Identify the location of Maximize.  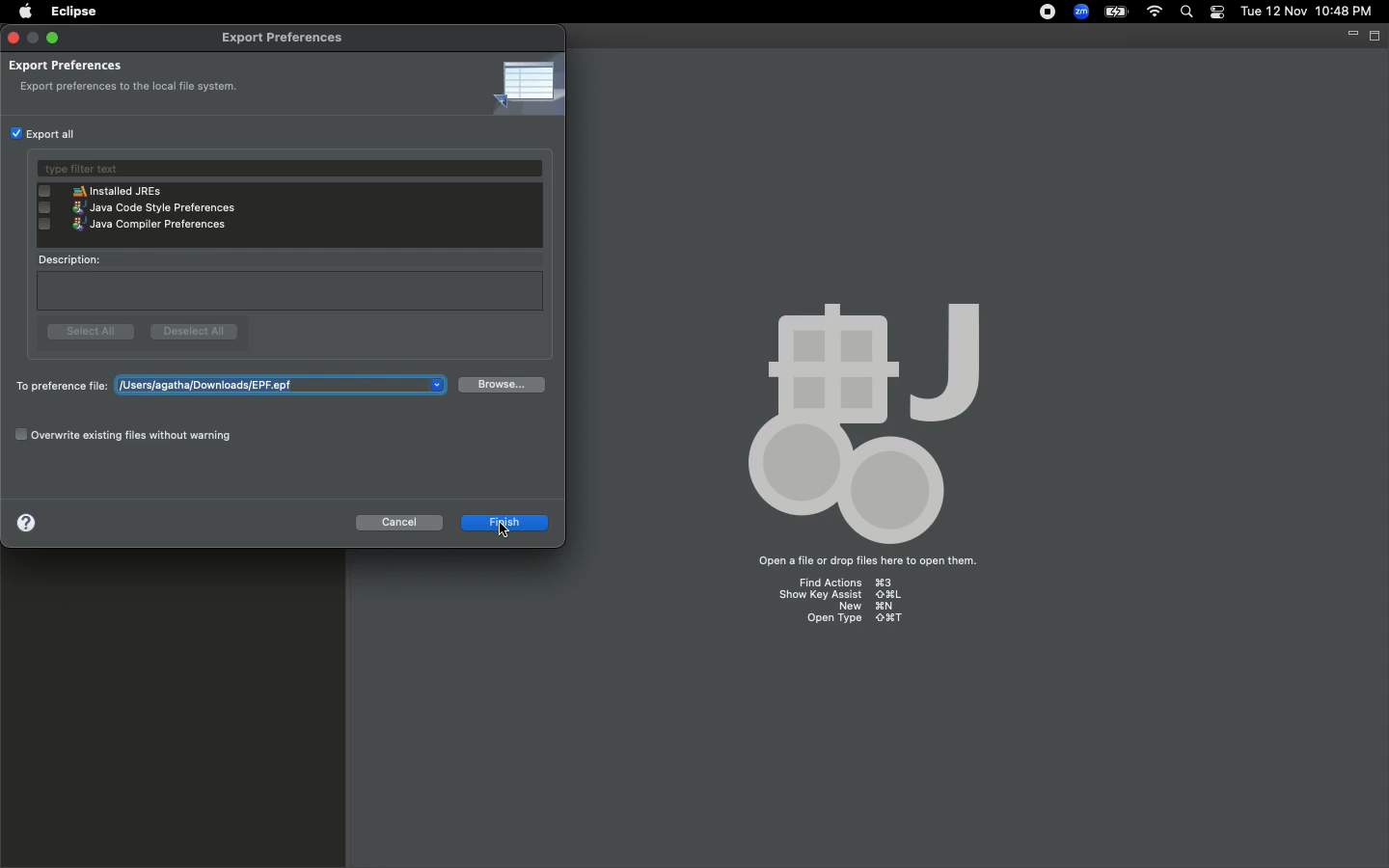
(52, 39).